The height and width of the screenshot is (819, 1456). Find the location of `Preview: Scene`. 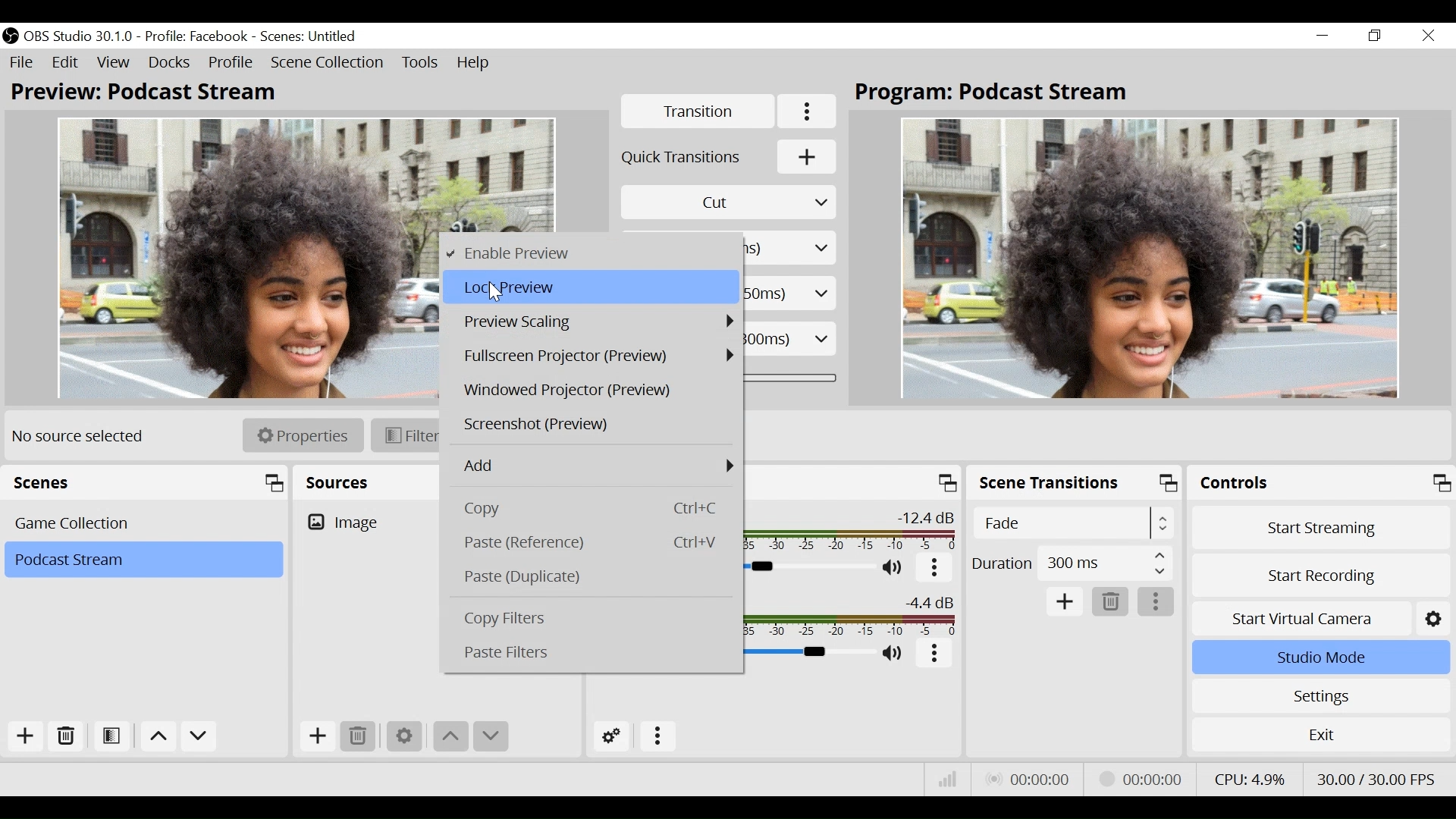

Preview: Scene is located at coordinates (152, 93).